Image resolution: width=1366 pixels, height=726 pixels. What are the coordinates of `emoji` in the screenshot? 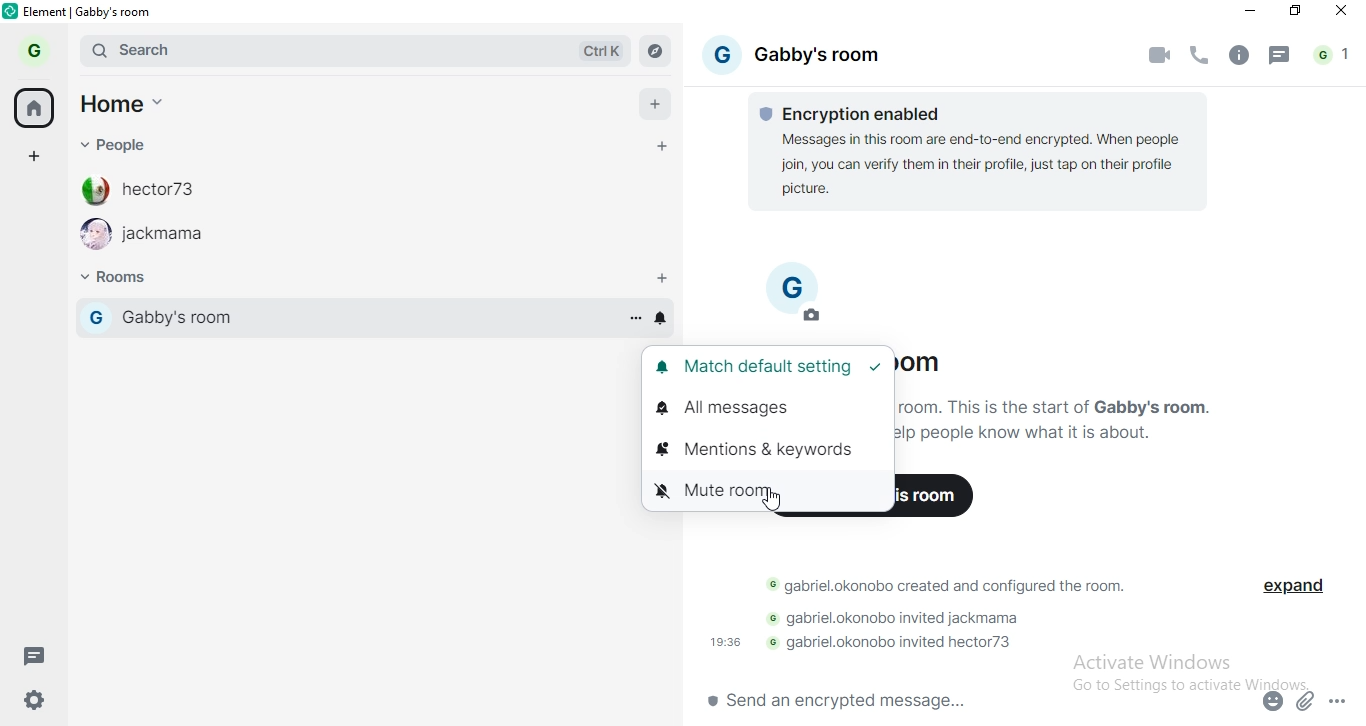 It's located at (1273, 702).